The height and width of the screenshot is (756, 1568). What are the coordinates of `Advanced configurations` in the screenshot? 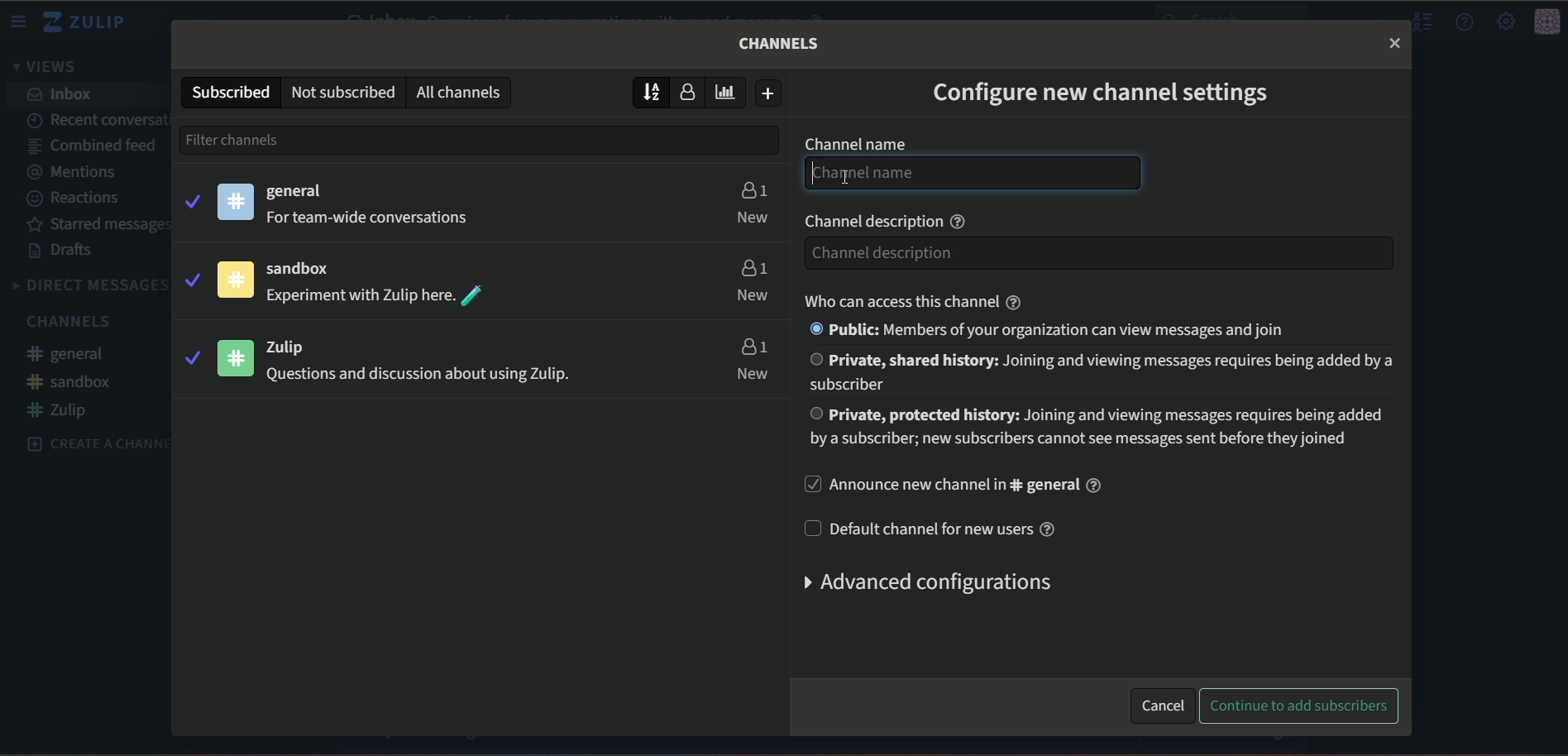 It's located at (923, 582).